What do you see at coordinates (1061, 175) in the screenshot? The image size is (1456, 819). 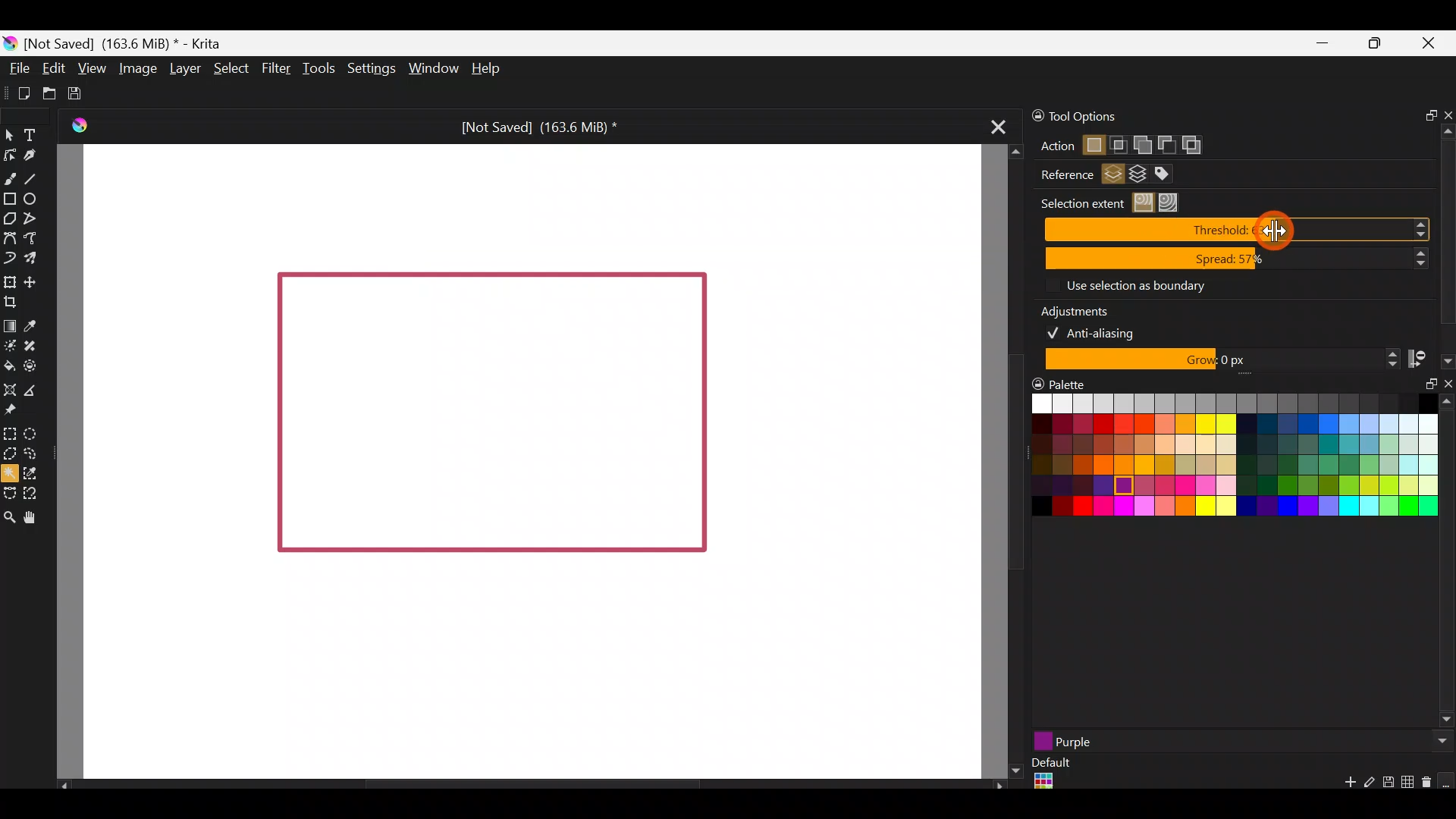 I see `Reference` at bounding box center [1061, 175].